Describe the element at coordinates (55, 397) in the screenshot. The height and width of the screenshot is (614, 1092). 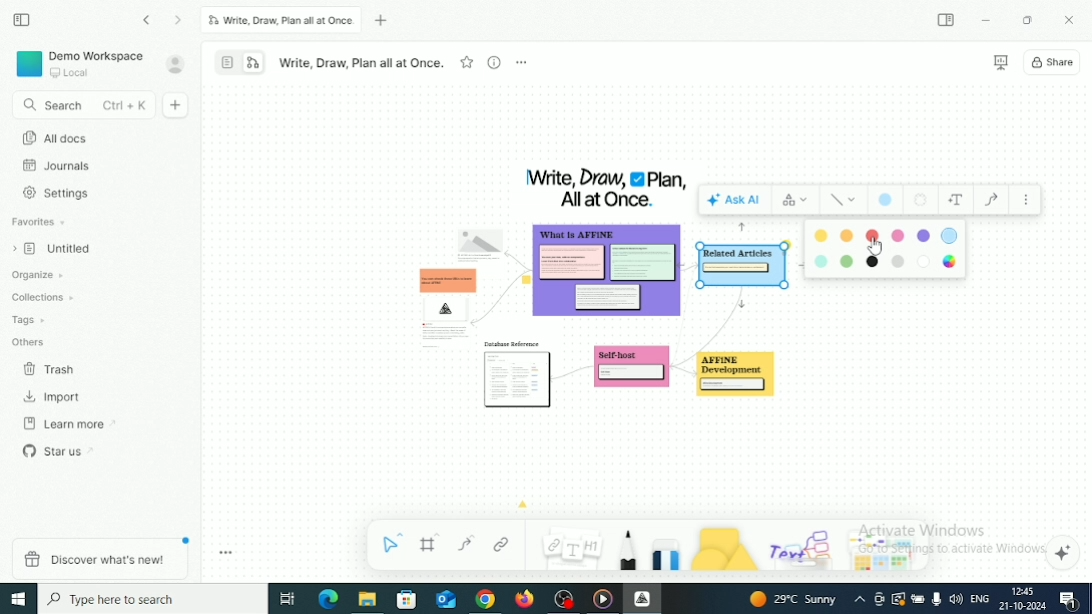
I see `Import` at that location.